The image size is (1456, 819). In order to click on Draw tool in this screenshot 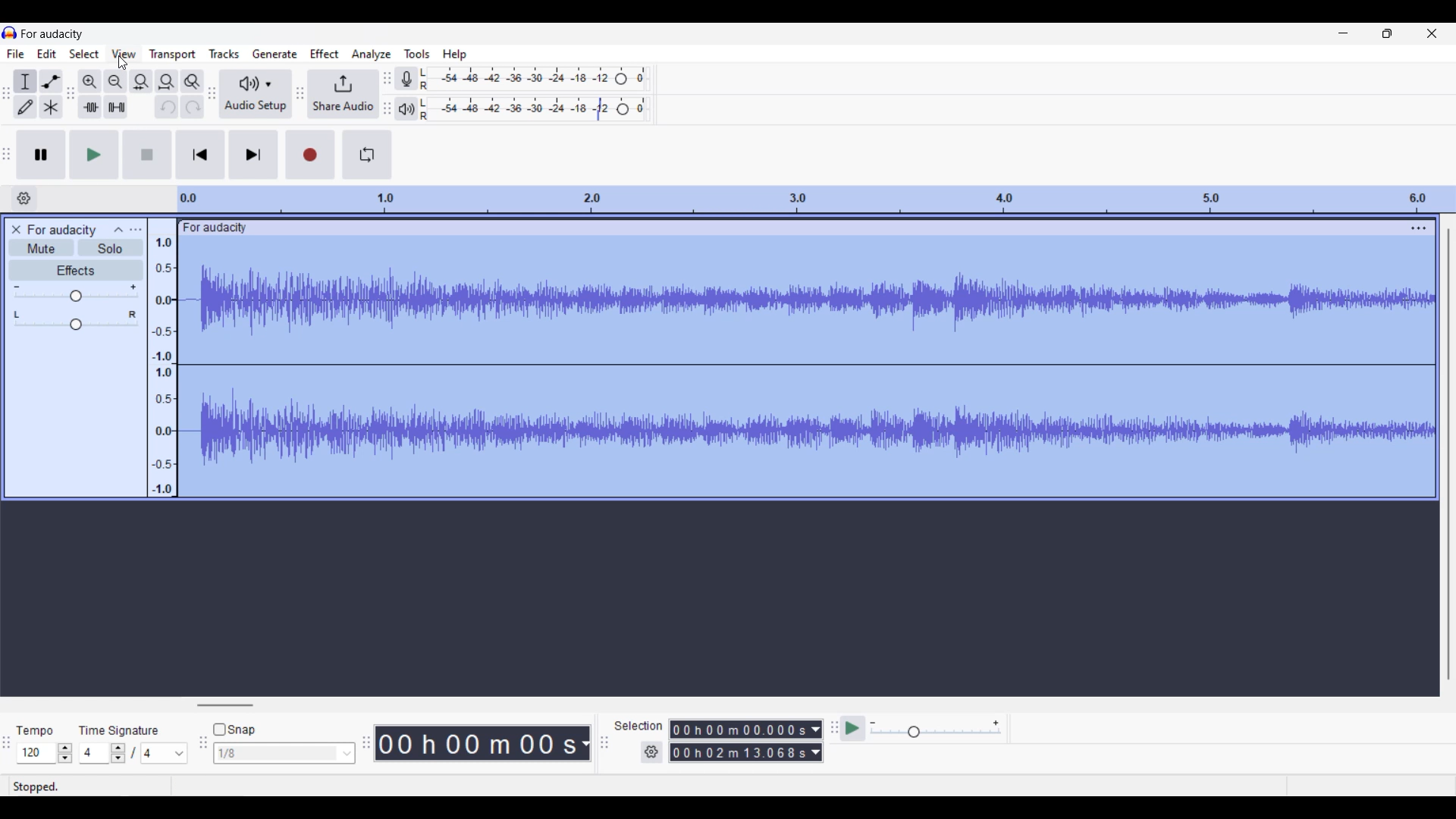, I will do `click(26, 106)`.